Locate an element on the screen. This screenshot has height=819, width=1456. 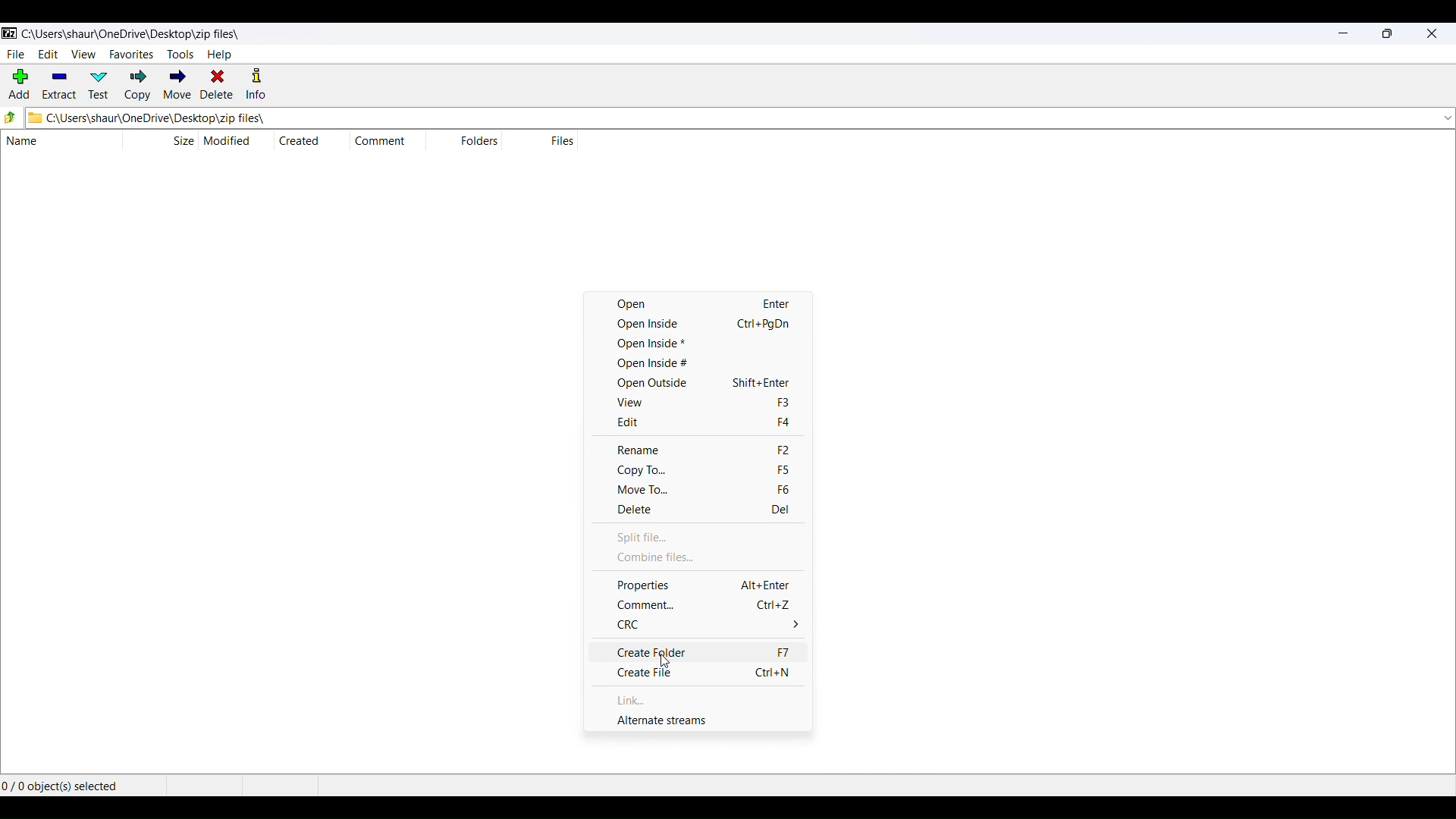
CLOSE is located at coordinates (1431, 35).